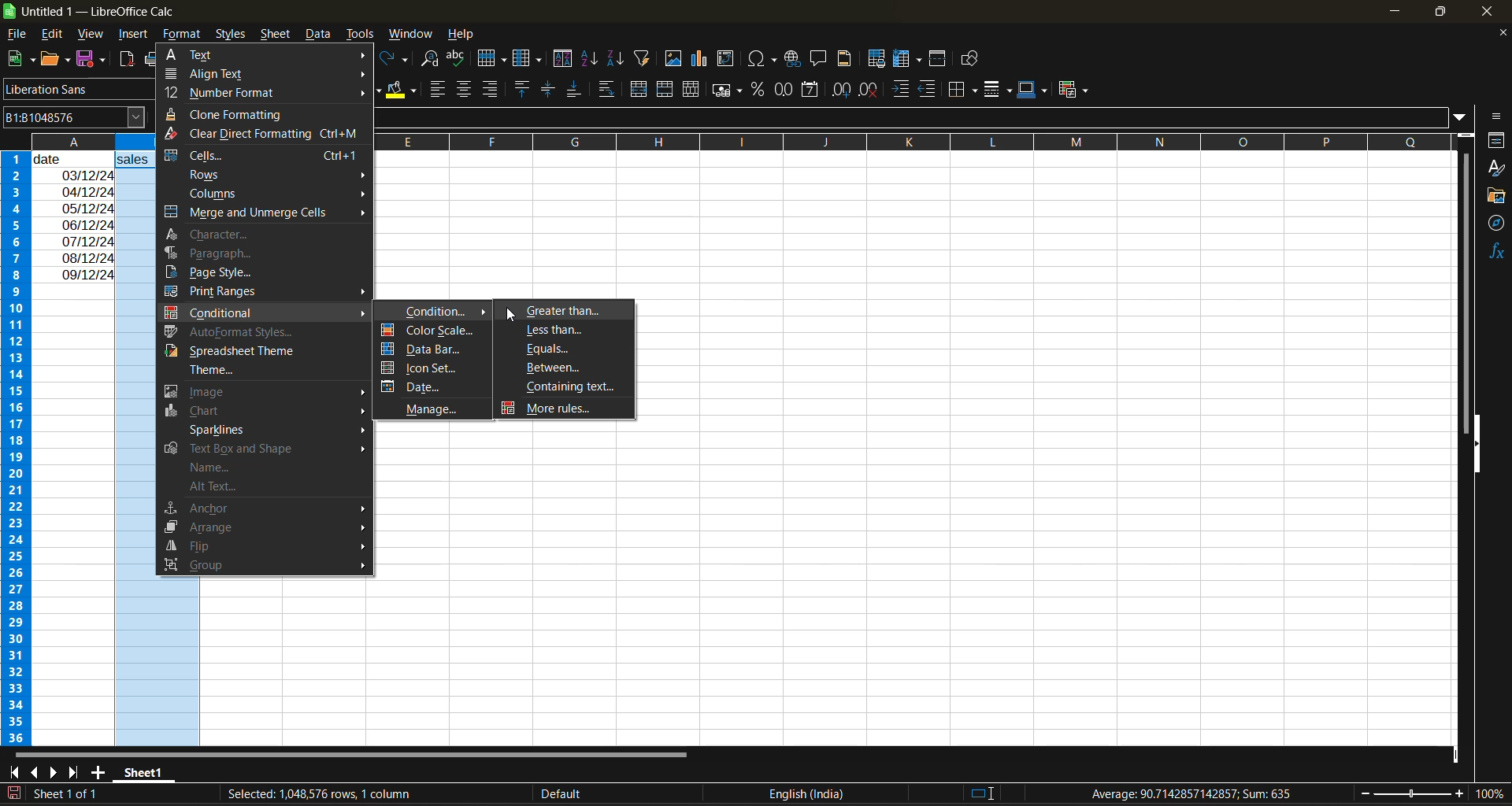 Image resolution: width=1512 pixels, height=806 pixels. I want to click on scroll to next sheet, so click(54, 771).